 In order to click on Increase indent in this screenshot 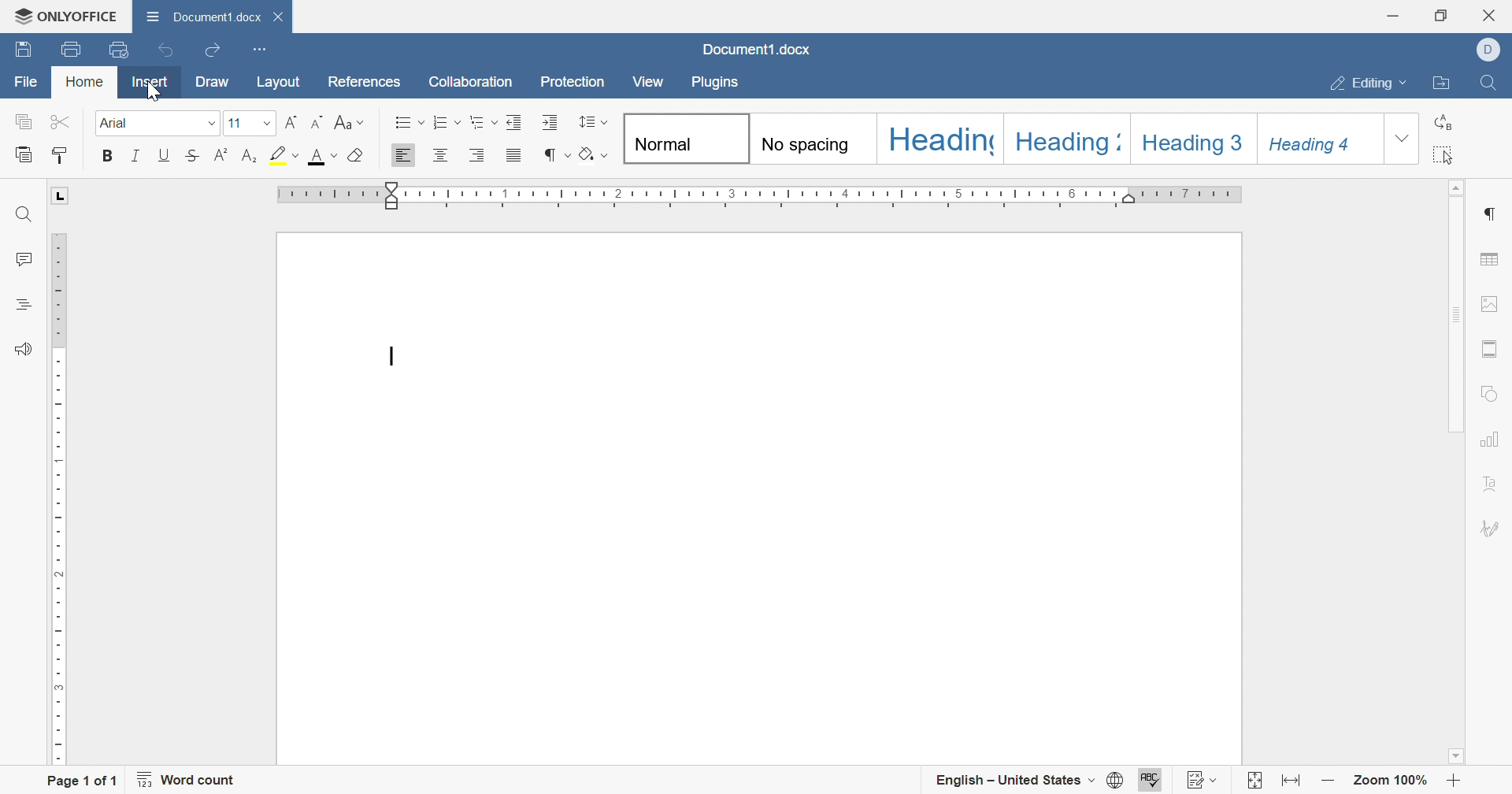, I will do `click(549, 124)`.